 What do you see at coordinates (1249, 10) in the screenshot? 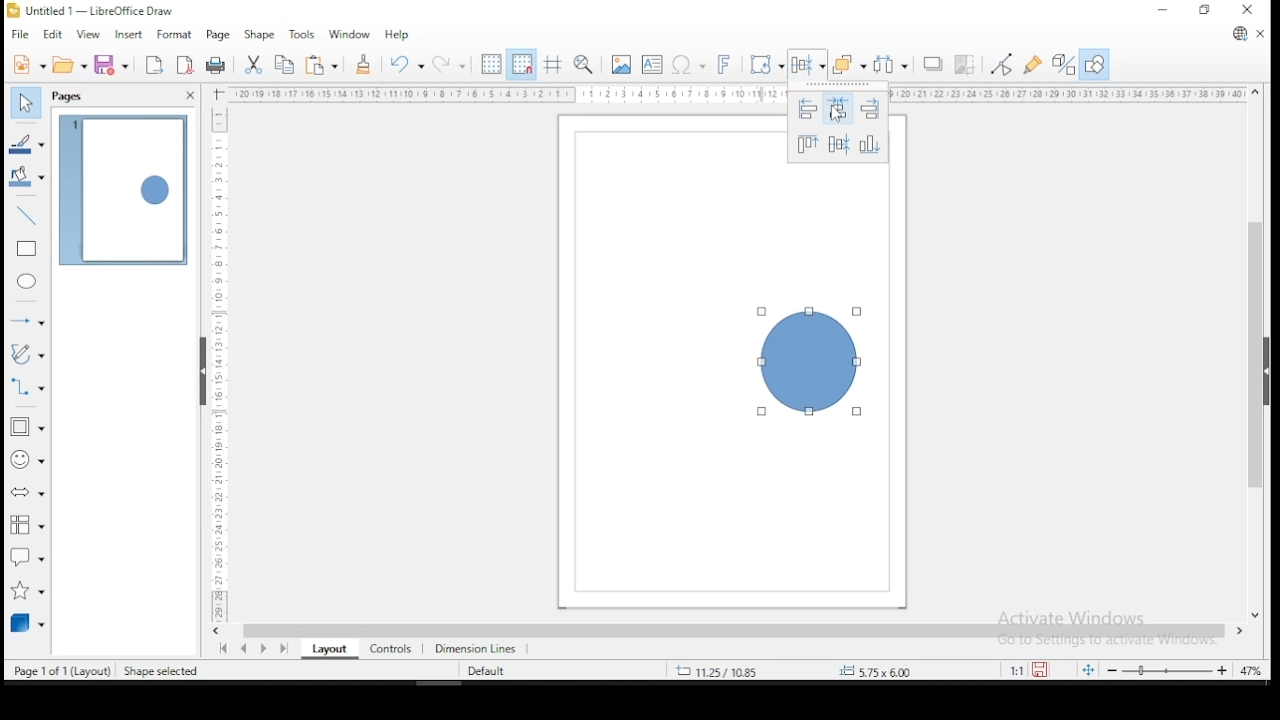
I see `close window` at bounding box center [1249, 10].